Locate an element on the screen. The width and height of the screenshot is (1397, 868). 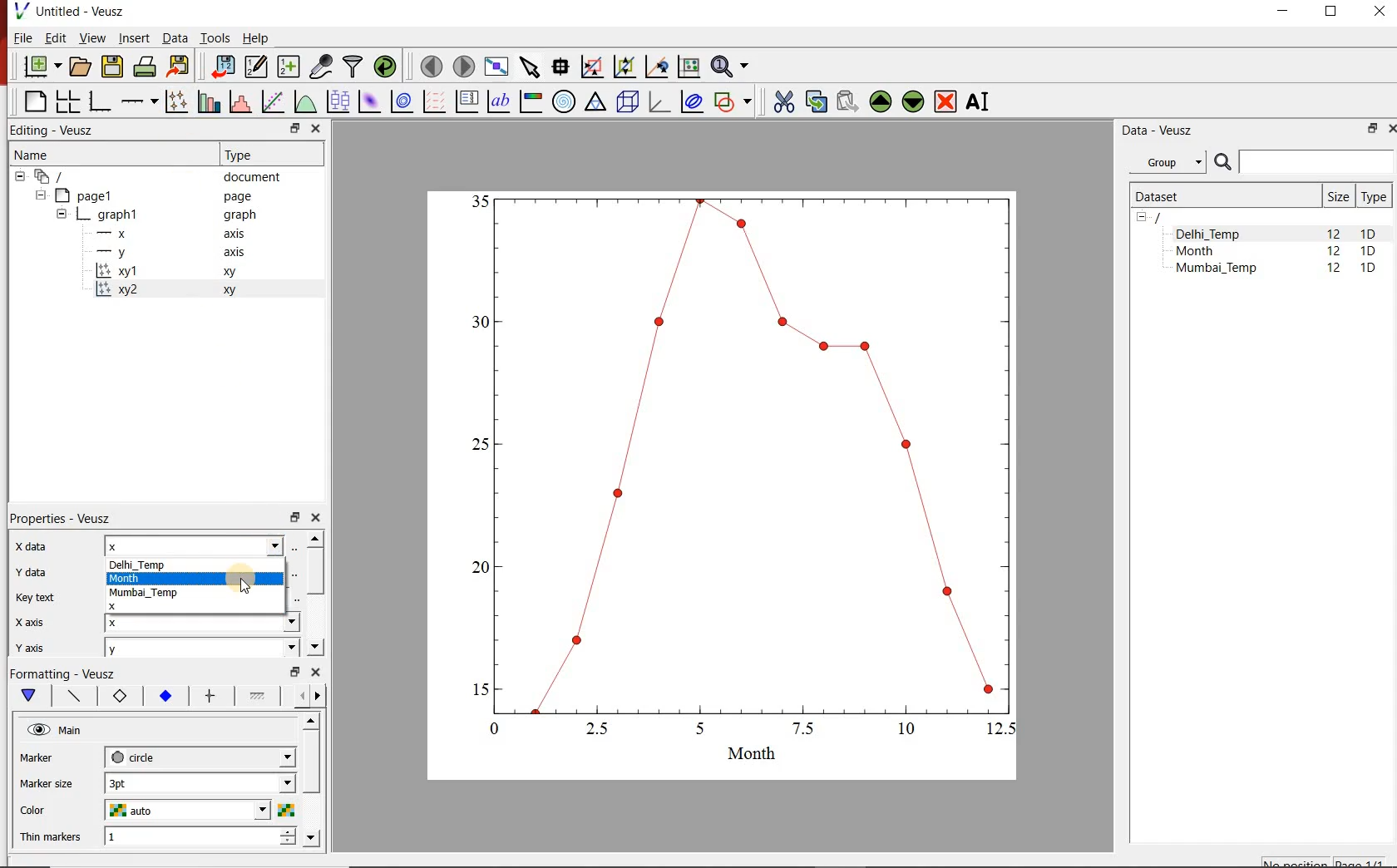
Delhi_Temp is located at coordinates (1211, 234).